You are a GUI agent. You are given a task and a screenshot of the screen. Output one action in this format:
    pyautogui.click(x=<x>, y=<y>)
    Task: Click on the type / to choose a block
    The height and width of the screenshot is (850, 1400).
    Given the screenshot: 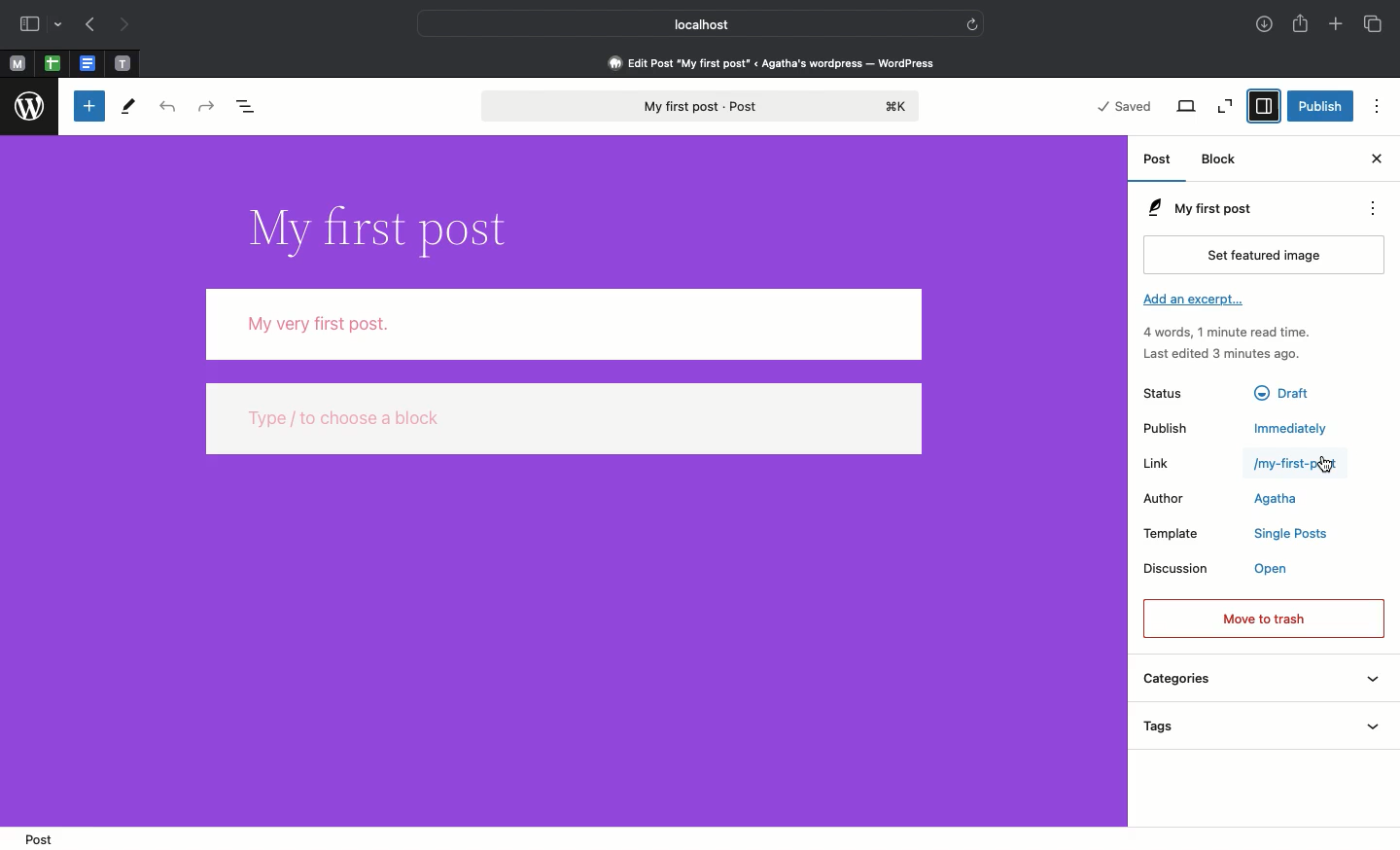 What is the action you would take?
    pyautogui.click(x=565, y=417)
    